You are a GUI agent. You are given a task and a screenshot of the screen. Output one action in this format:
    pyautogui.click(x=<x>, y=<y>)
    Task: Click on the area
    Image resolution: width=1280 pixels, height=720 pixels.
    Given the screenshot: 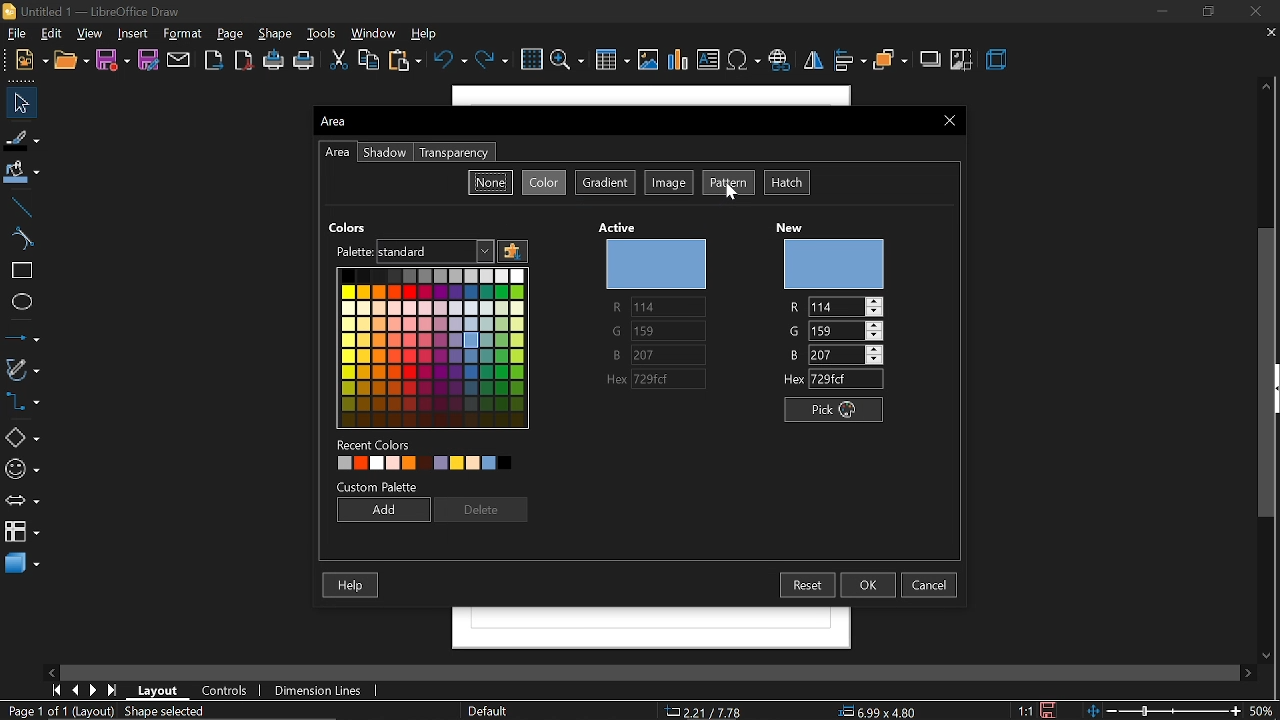 What is the action you would take?
    pyautogui.click(x=338, y=153)
    